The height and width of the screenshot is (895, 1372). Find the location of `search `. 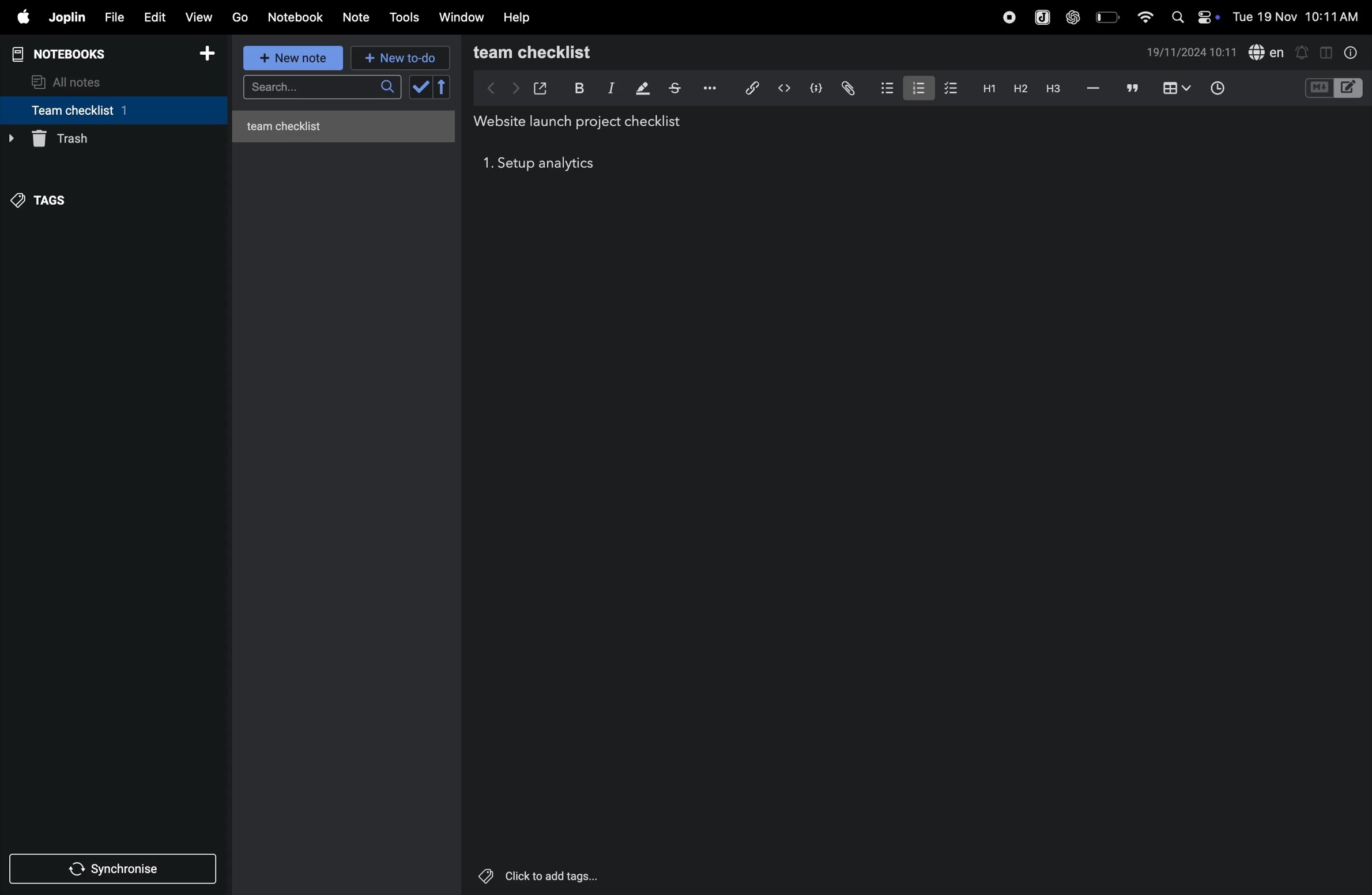

search  is located at coordinates (320, 89).